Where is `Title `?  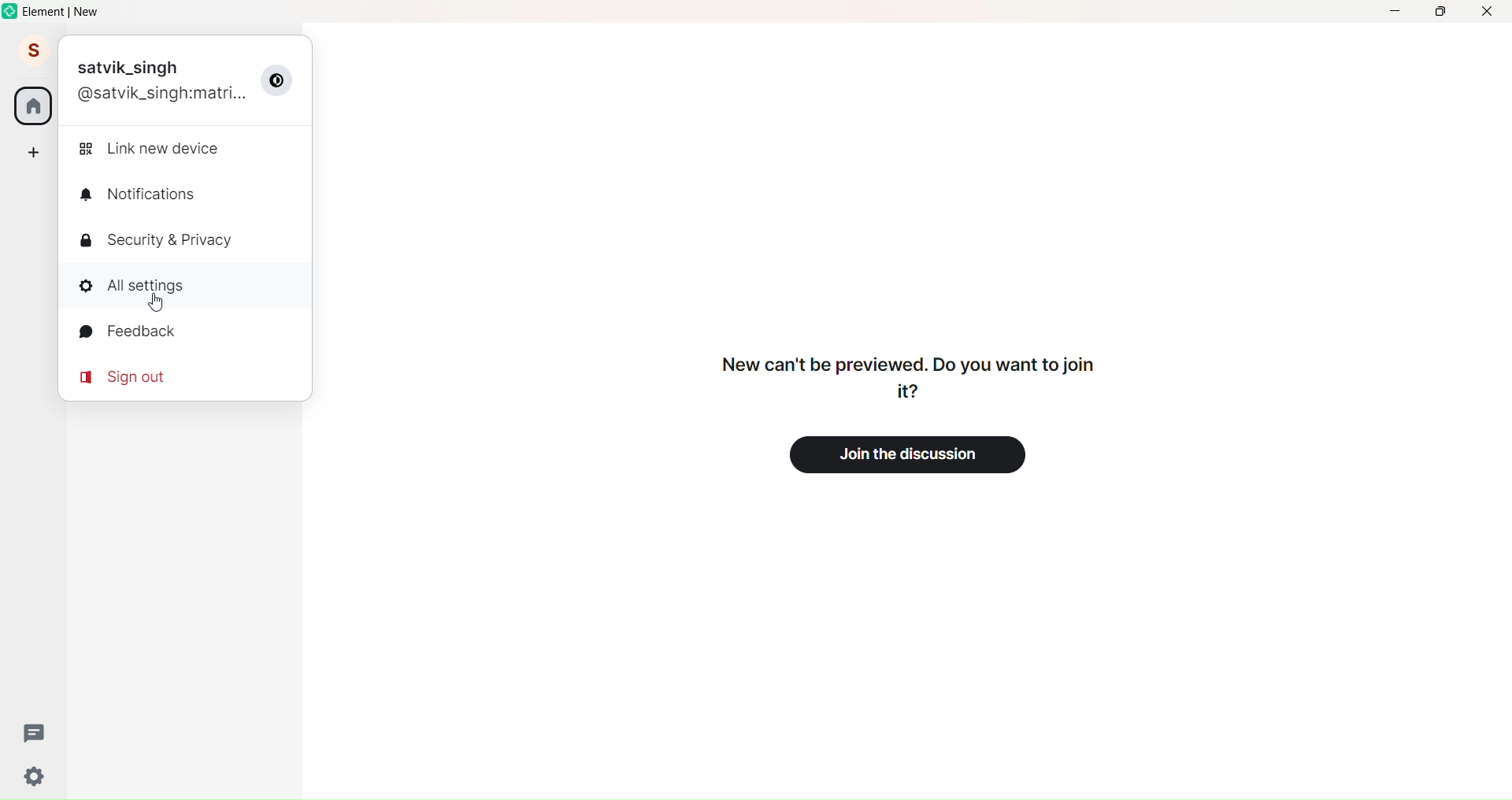 Title  is located at coordinates (76, 12).